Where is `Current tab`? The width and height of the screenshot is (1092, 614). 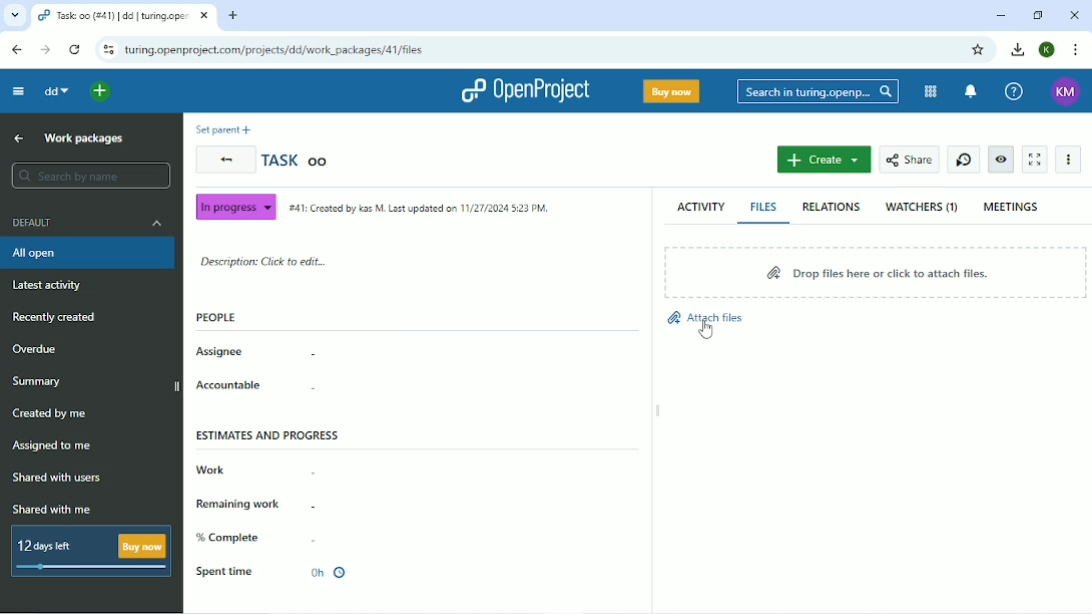 Current tab is located at coordinates (124, 17).